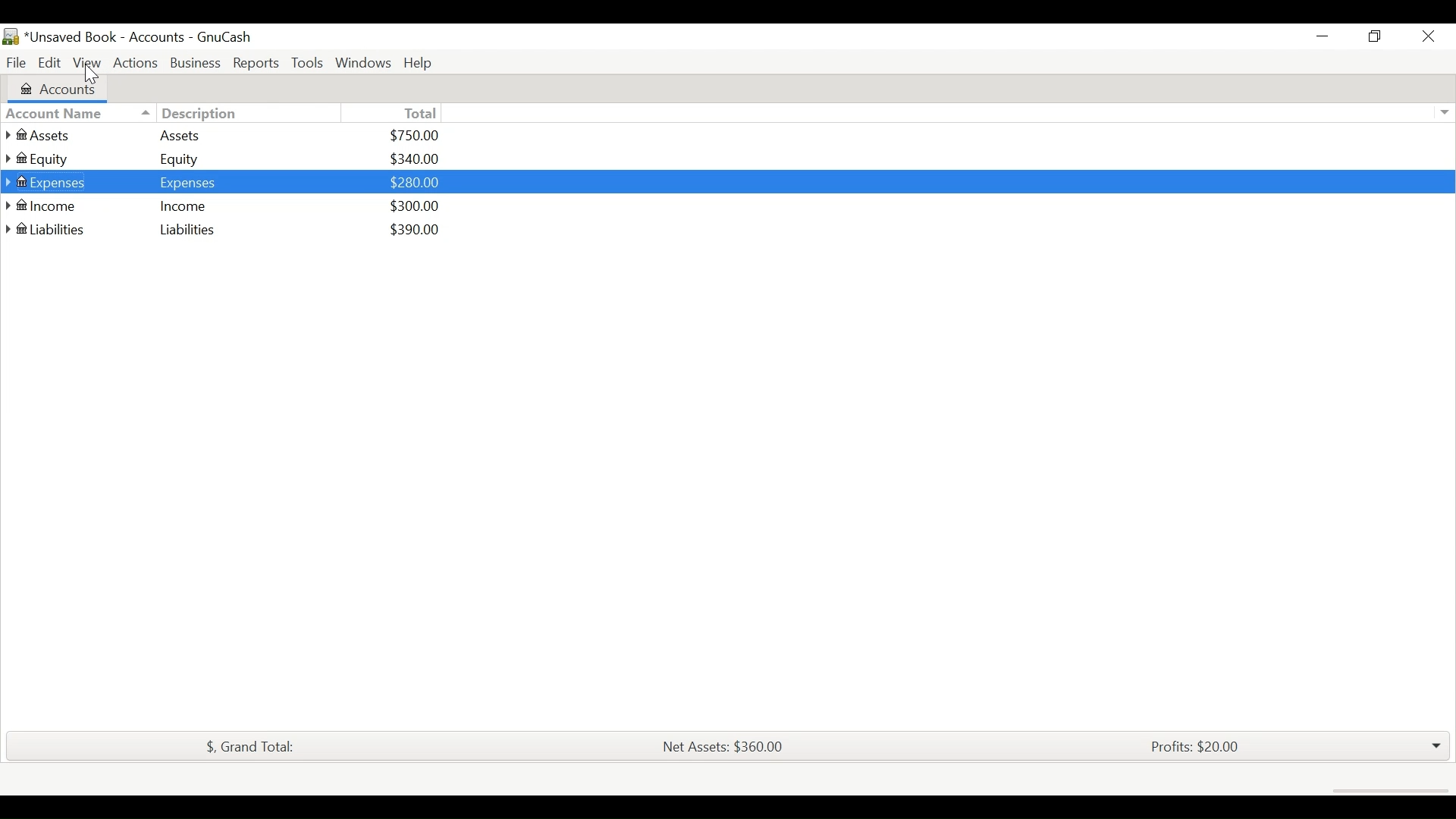 The height and width of the screenshot is (819, 1456). Describe the element at coordinates (256, 62) in the screenshot. I see `Reports` at that location.